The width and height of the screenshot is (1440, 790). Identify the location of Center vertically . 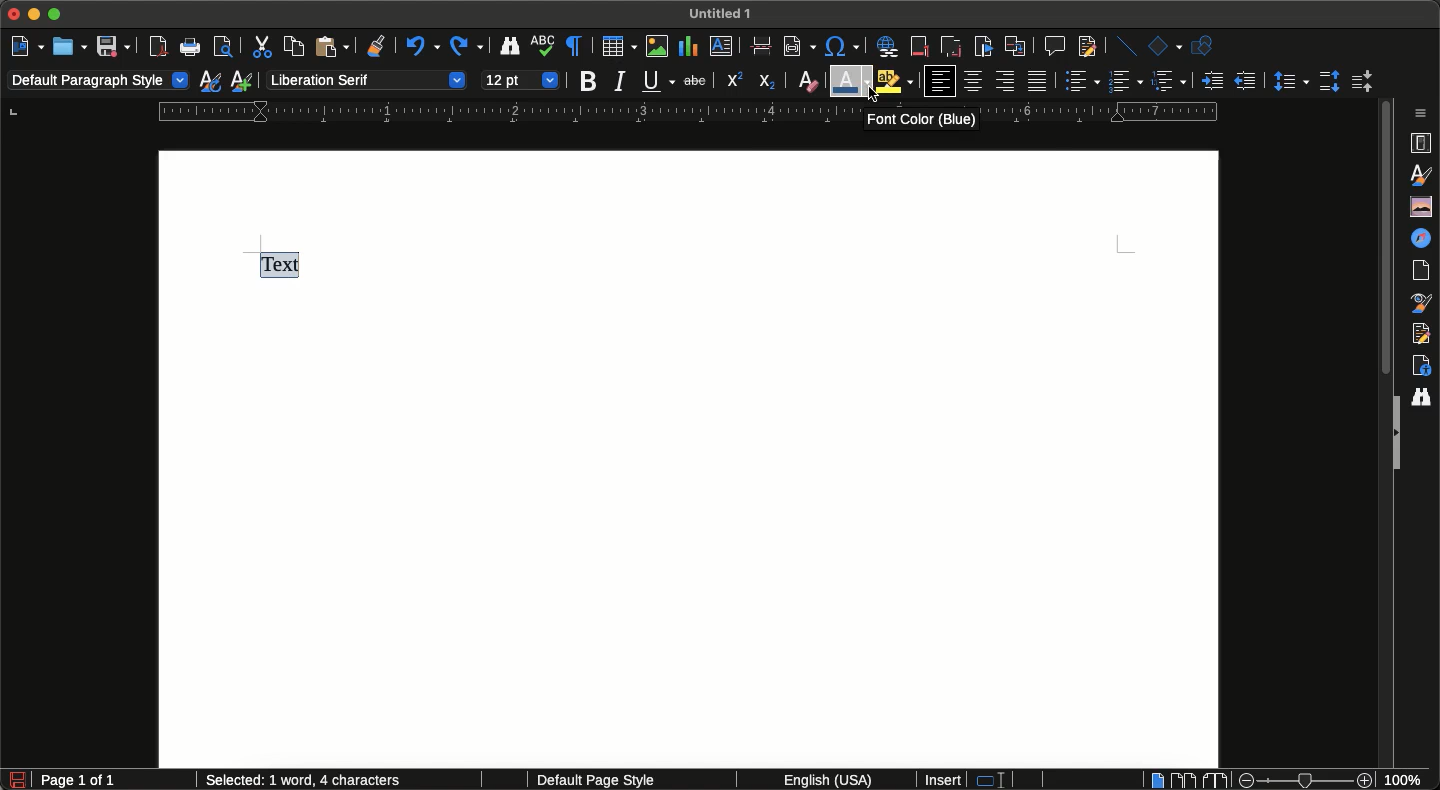
(974, 81).